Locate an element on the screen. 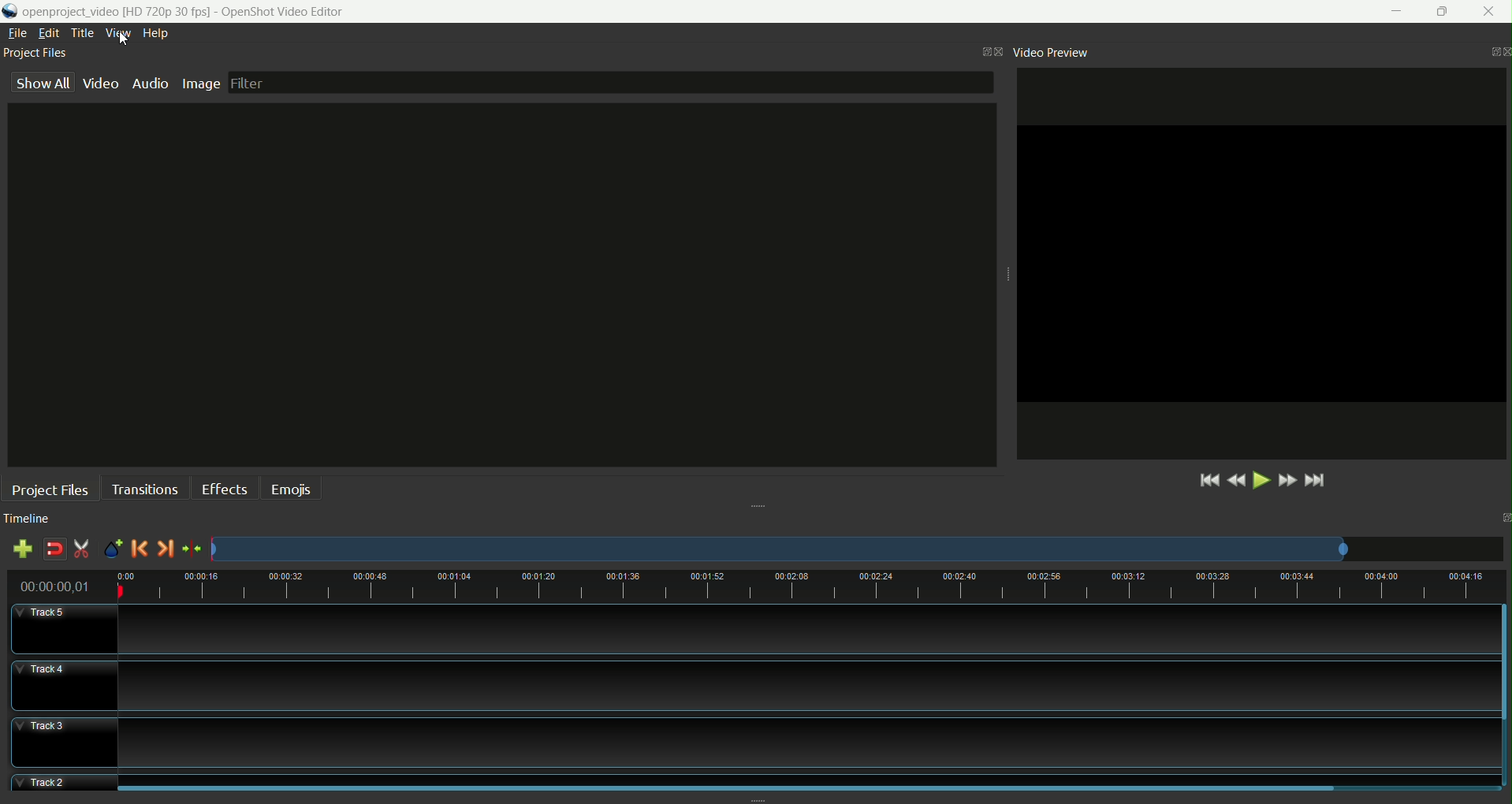  add track is located at coordinates (24, 549).